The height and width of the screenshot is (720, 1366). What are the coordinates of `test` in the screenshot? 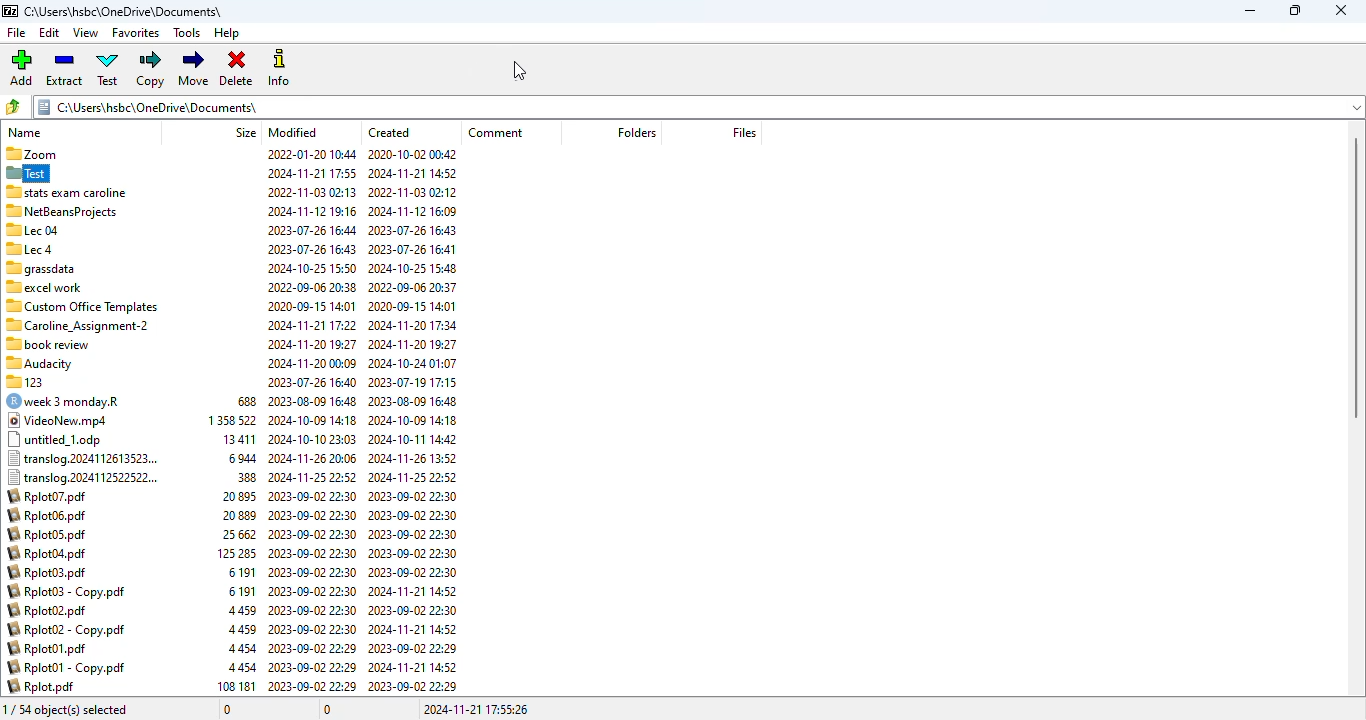 It's located at (108, 69).